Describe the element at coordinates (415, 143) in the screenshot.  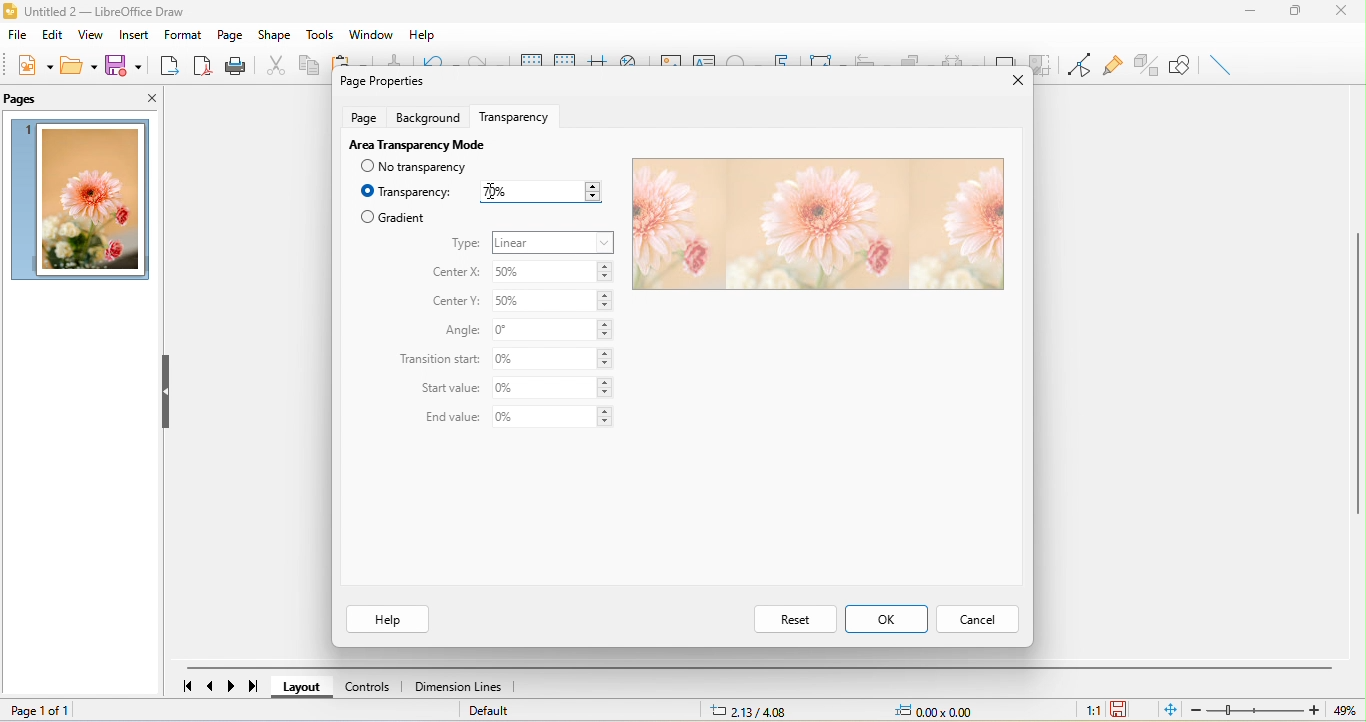
I see `area transparency mode` at that location.